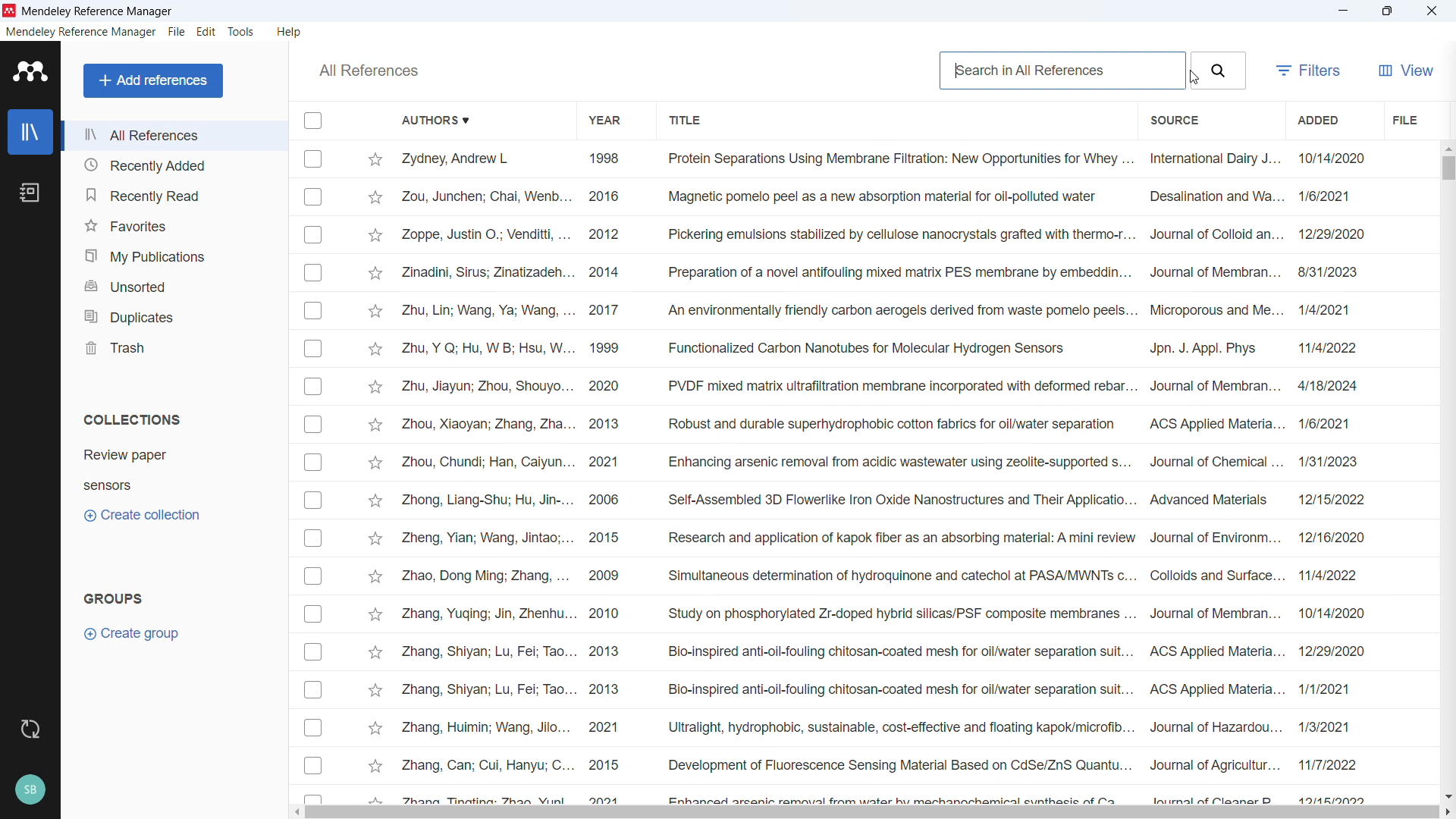  Describe the element at coordinates (1448, 168) in the screenshot. I see `Vertical scrollbar ` at that location.